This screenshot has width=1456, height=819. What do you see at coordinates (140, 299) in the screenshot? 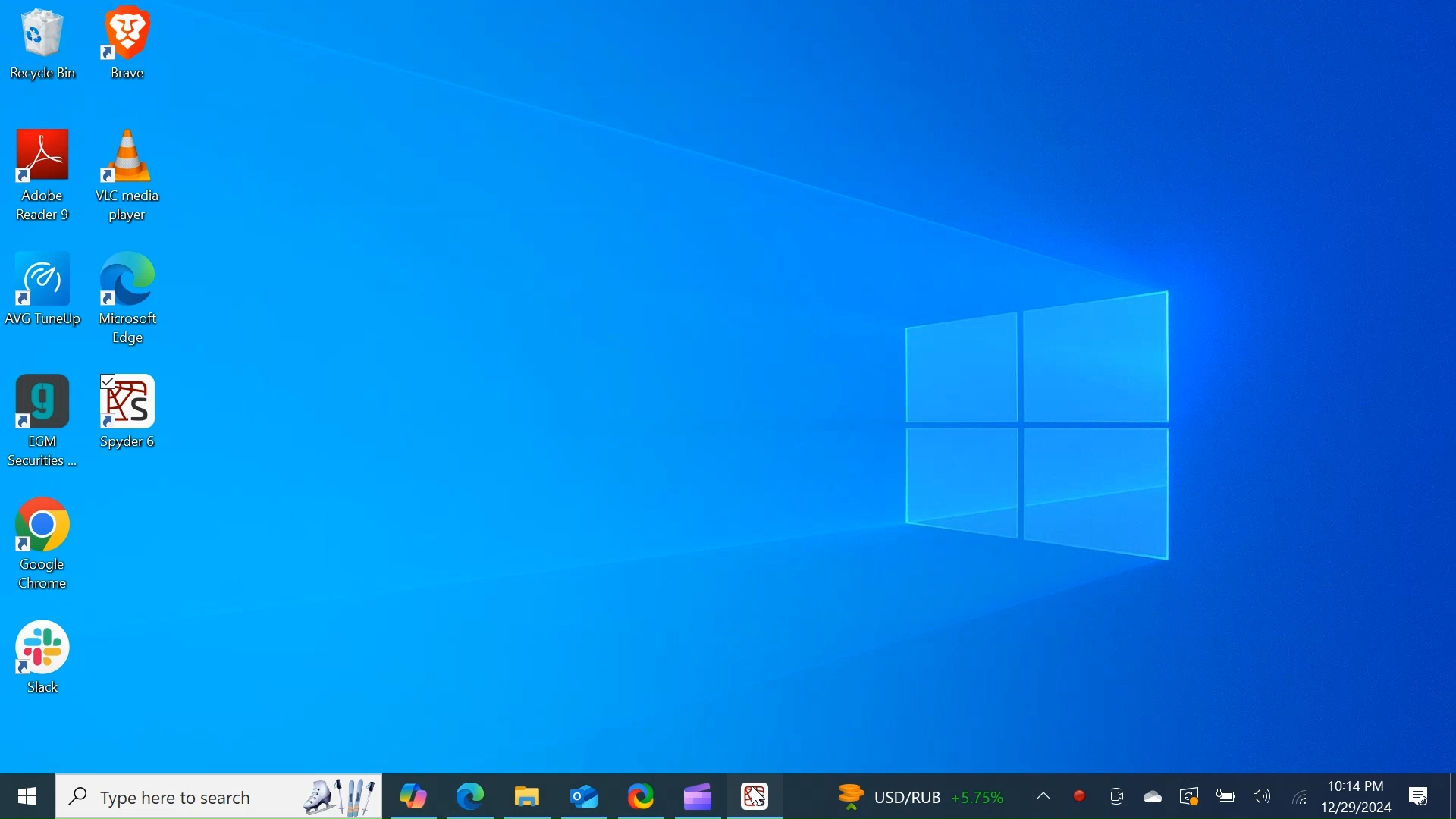
I see `Microsoft Edge Desktop Icon` at bounding box center [140, 299].